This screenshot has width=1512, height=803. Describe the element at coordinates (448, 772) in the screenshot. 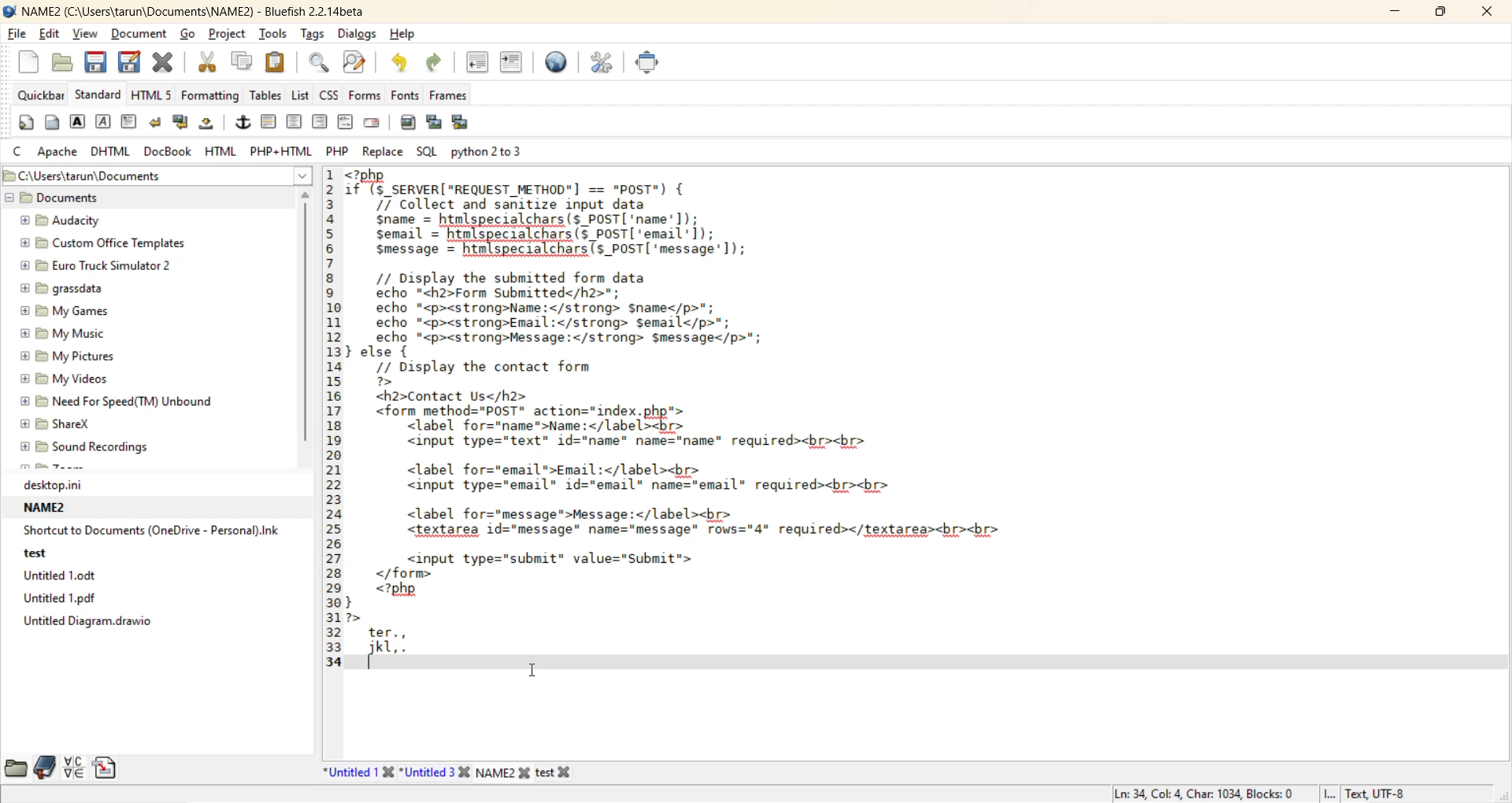

I see `file names` at that location.